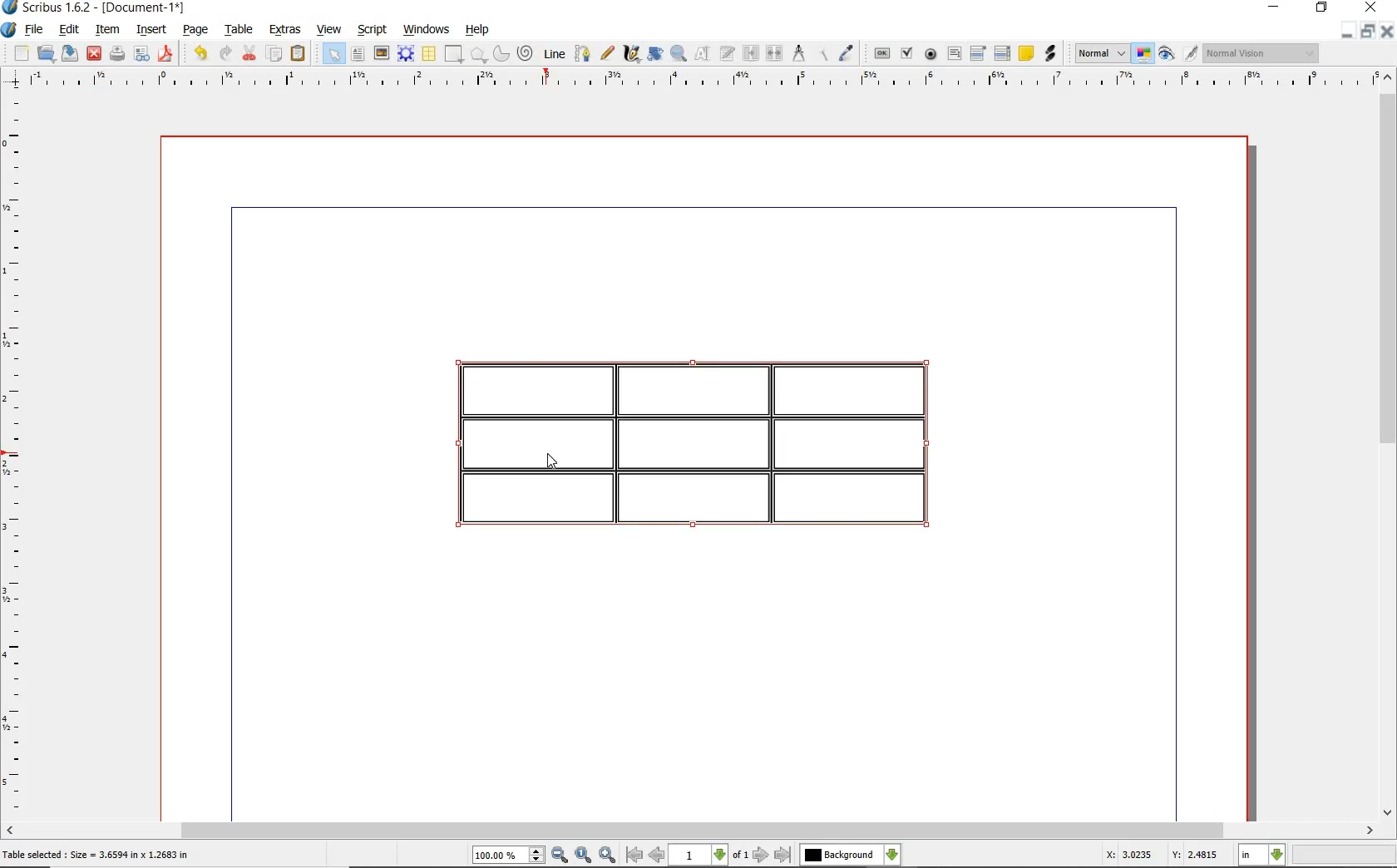 The height and width of the screenshot is (868, 1397). What do you see at coordinates (1160, 855) in the screenshot?
I see `X: 3.0235 Y: 2.4815` at bounding box center [1160, 855].